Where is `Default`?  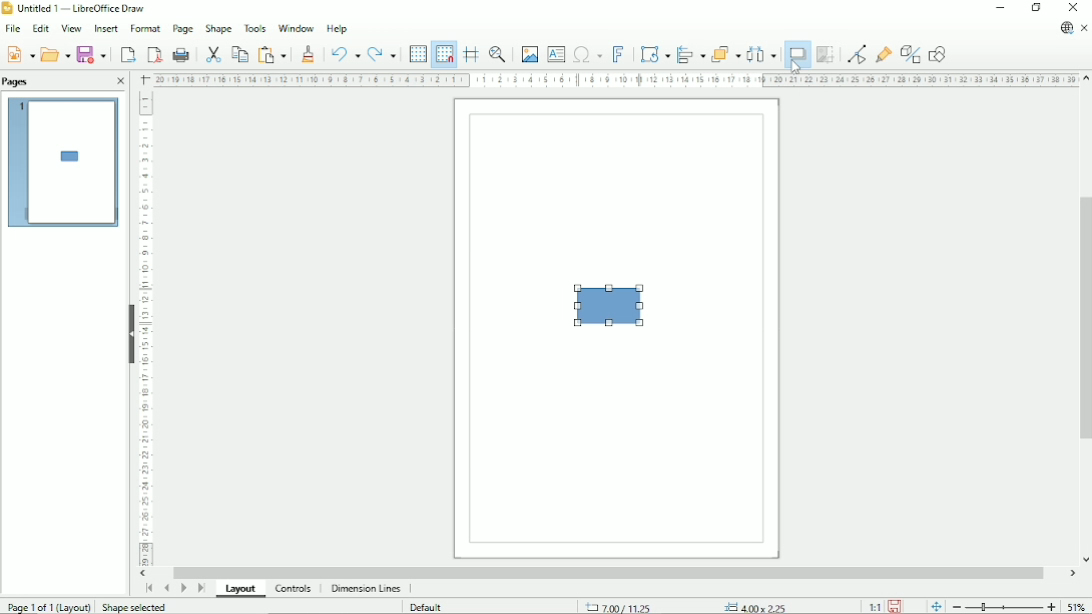 Default is located at coordinates (429, 606).